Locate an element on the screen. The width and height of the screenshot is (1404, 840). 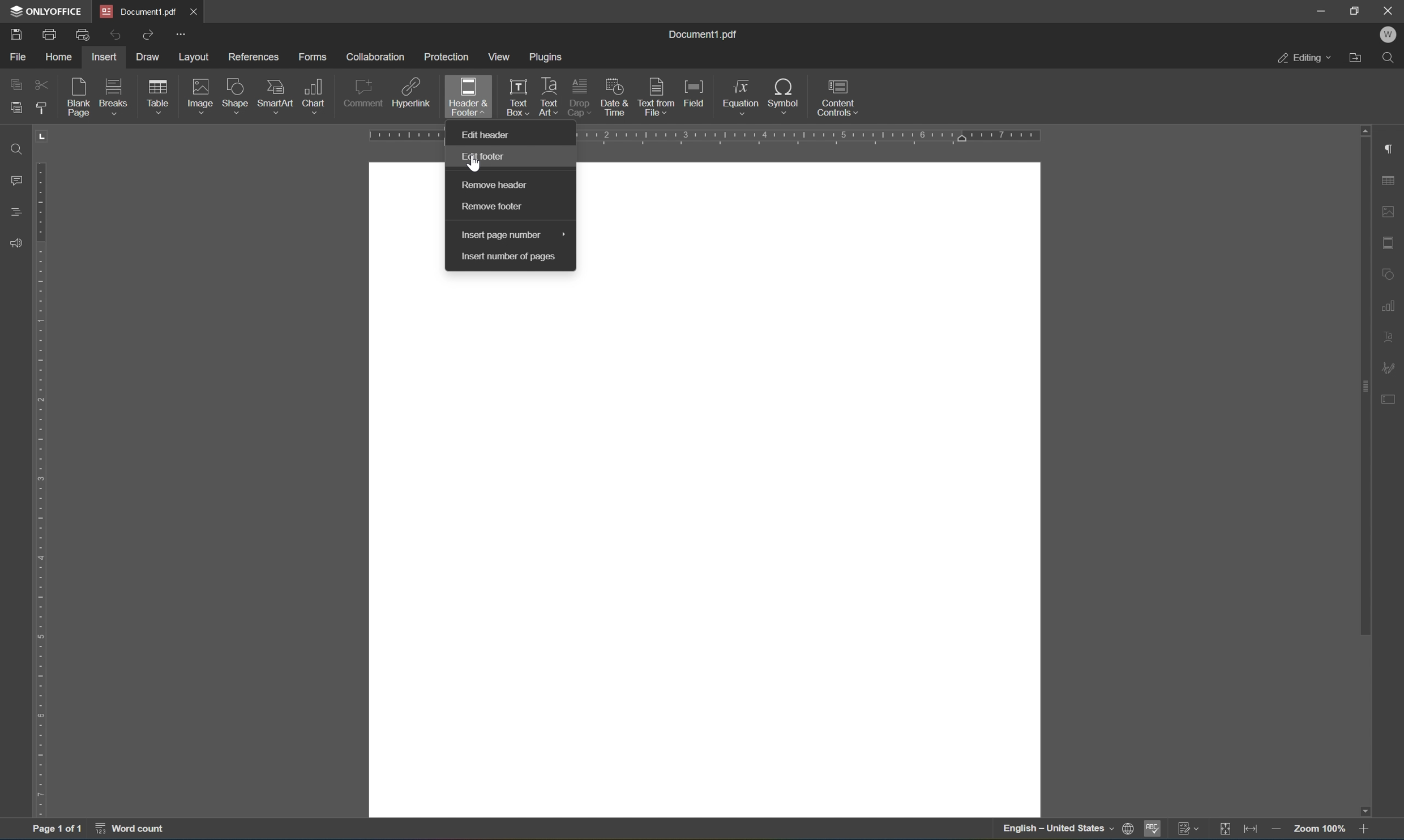
collaboration is located at coordinates (376, 57).